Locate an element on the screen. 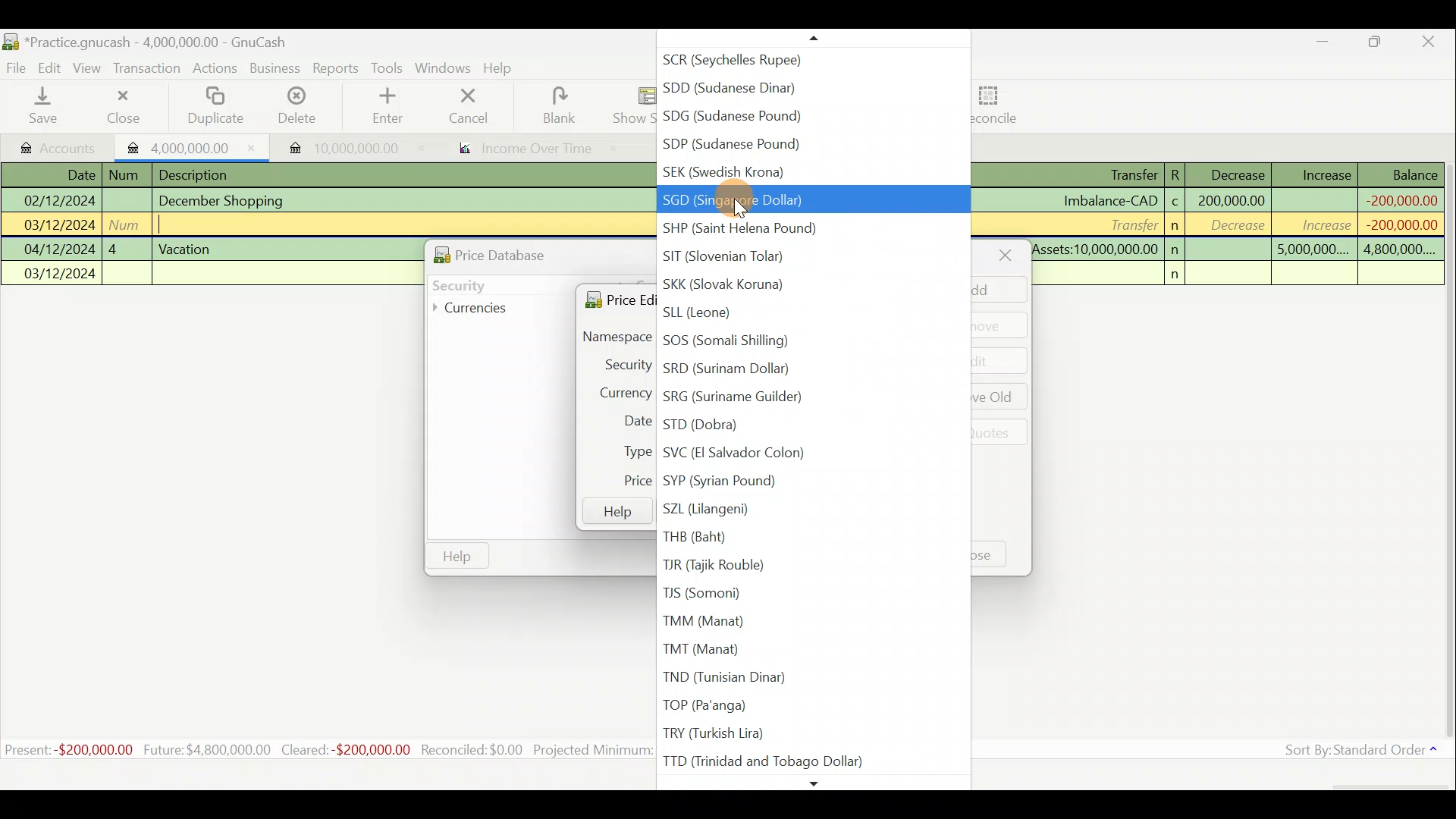 This screenshot has height=819, width=1456. Transaction is located at coordinates (151, 70).